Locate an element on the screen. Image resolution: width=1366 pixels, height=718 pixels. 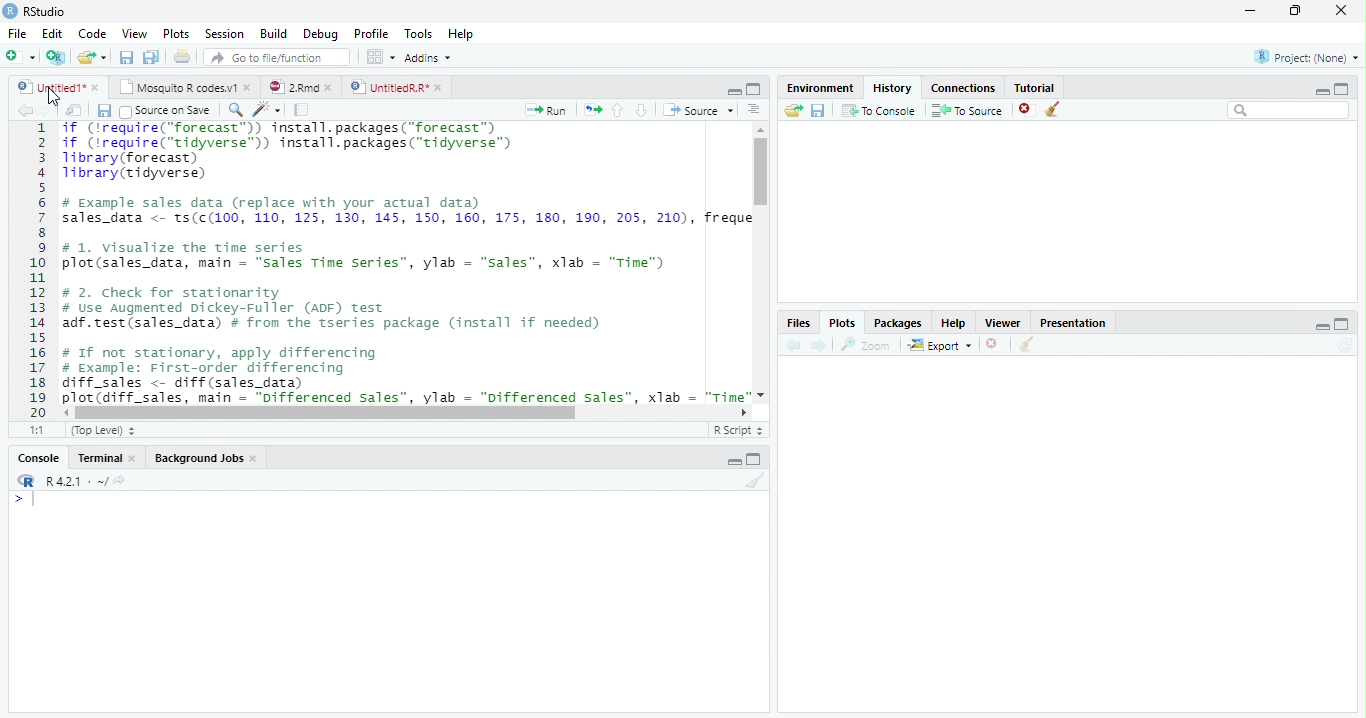
Debug is located at coordinates (321, 33).